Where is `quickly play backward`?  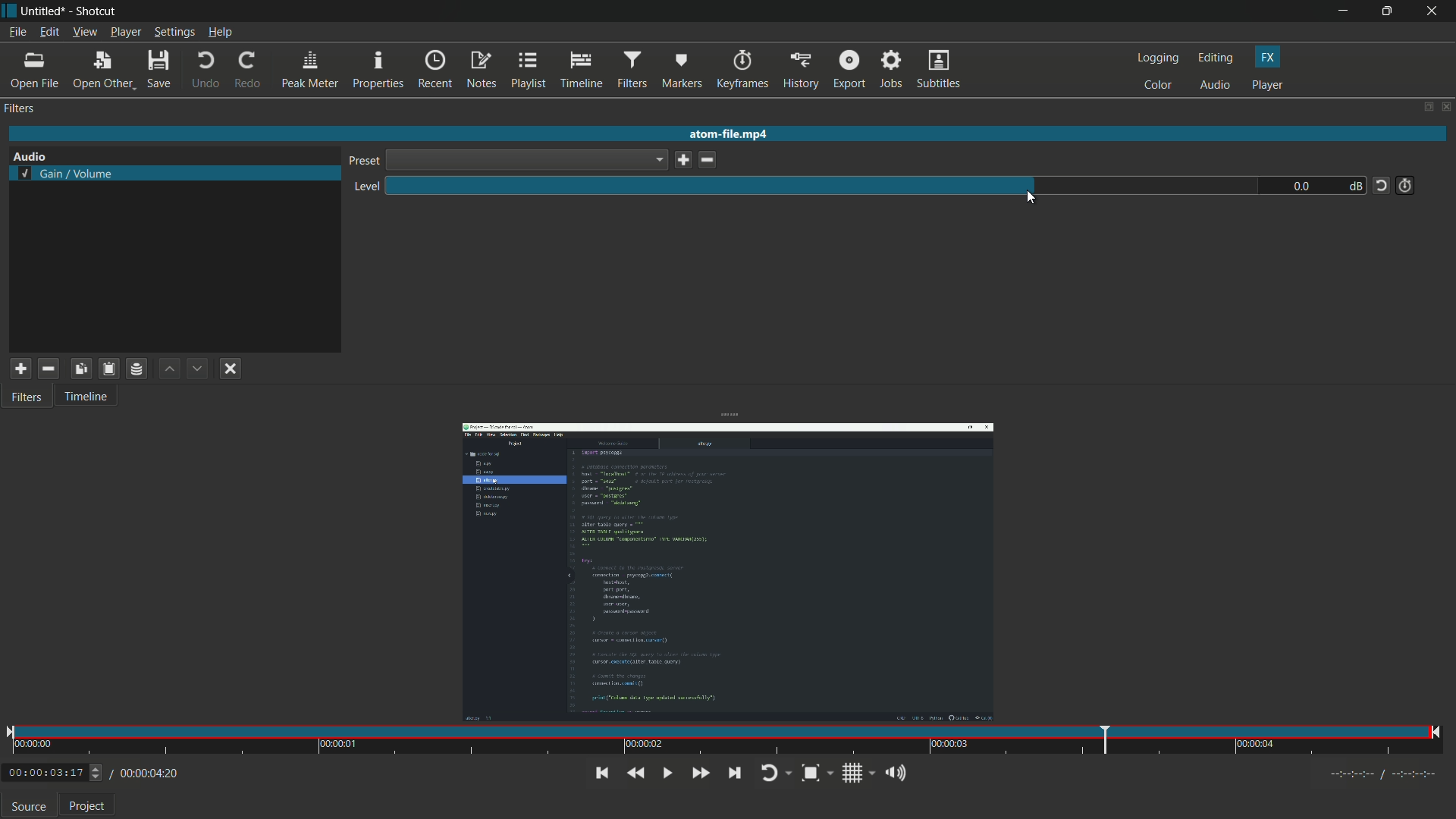 quickly play backward is located at coordinates (635, 773).